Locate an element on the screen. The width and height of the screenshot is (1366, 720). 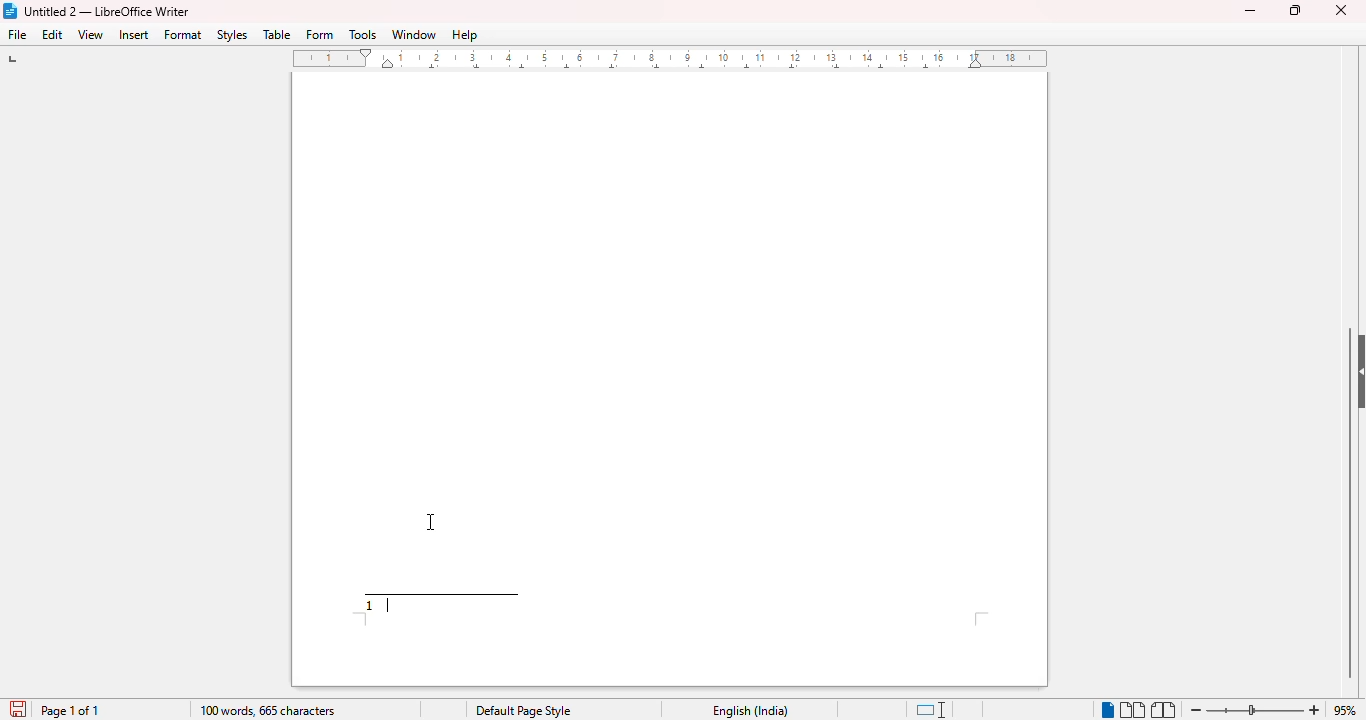
English (India) is located at coordinates (750, 711).